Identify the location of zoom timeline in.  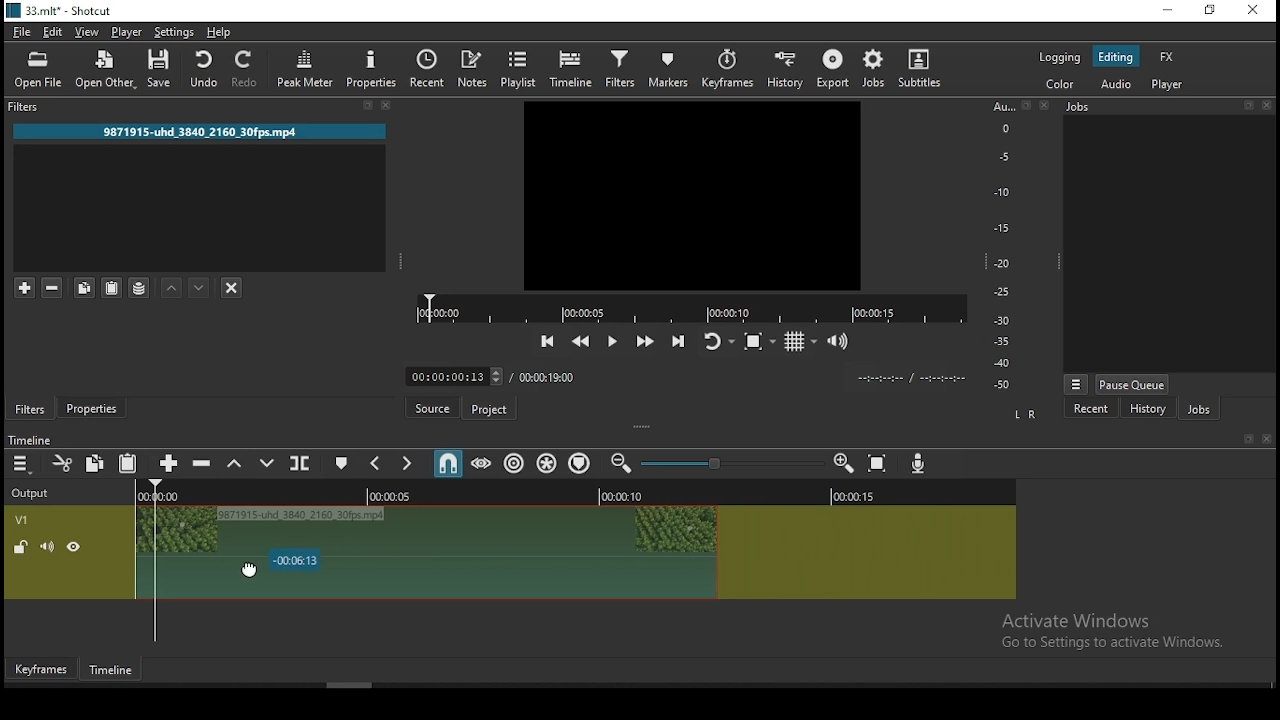
(845, 466).